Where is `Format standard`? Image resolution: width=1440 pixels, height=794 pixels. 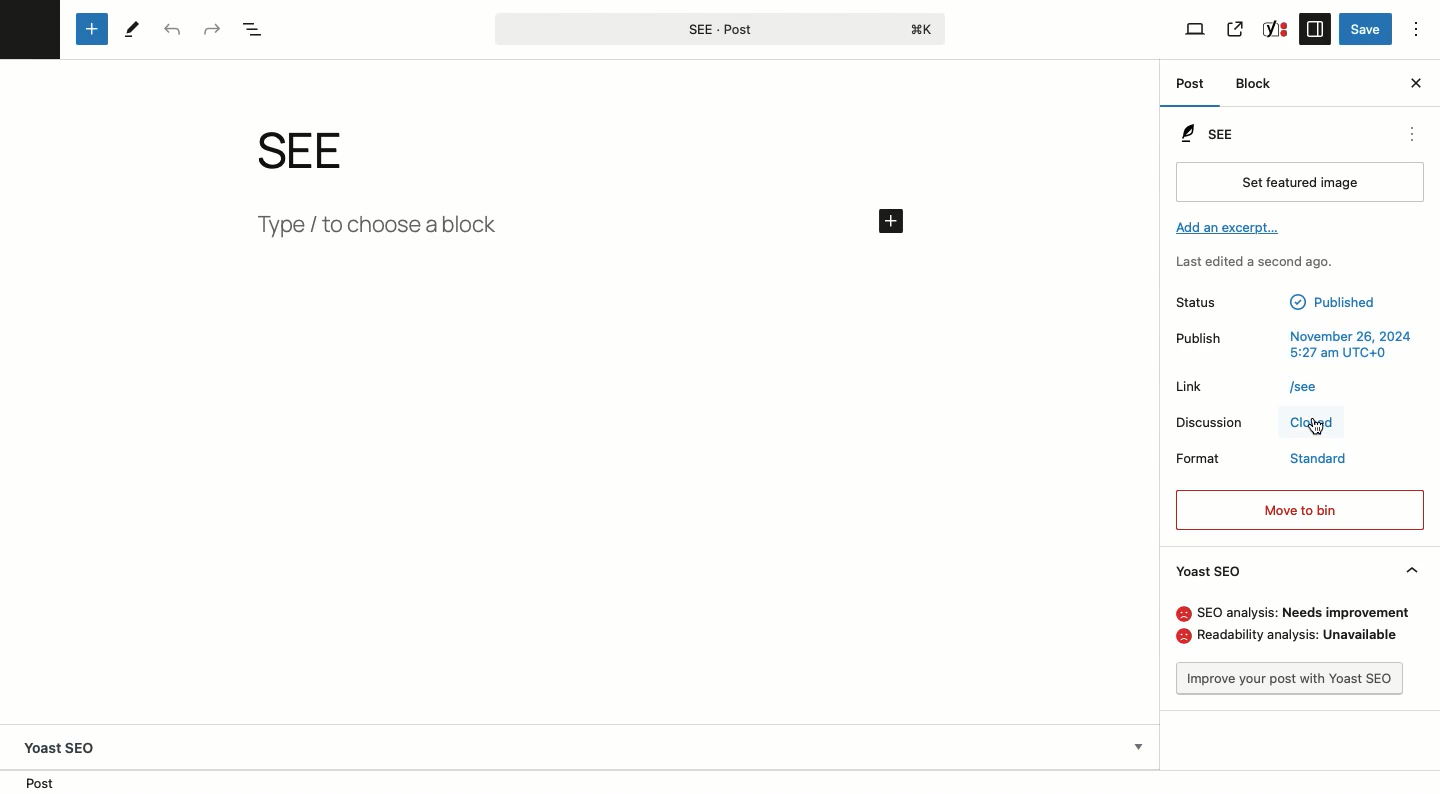
Format standard is located at coordinates (1264, 460).